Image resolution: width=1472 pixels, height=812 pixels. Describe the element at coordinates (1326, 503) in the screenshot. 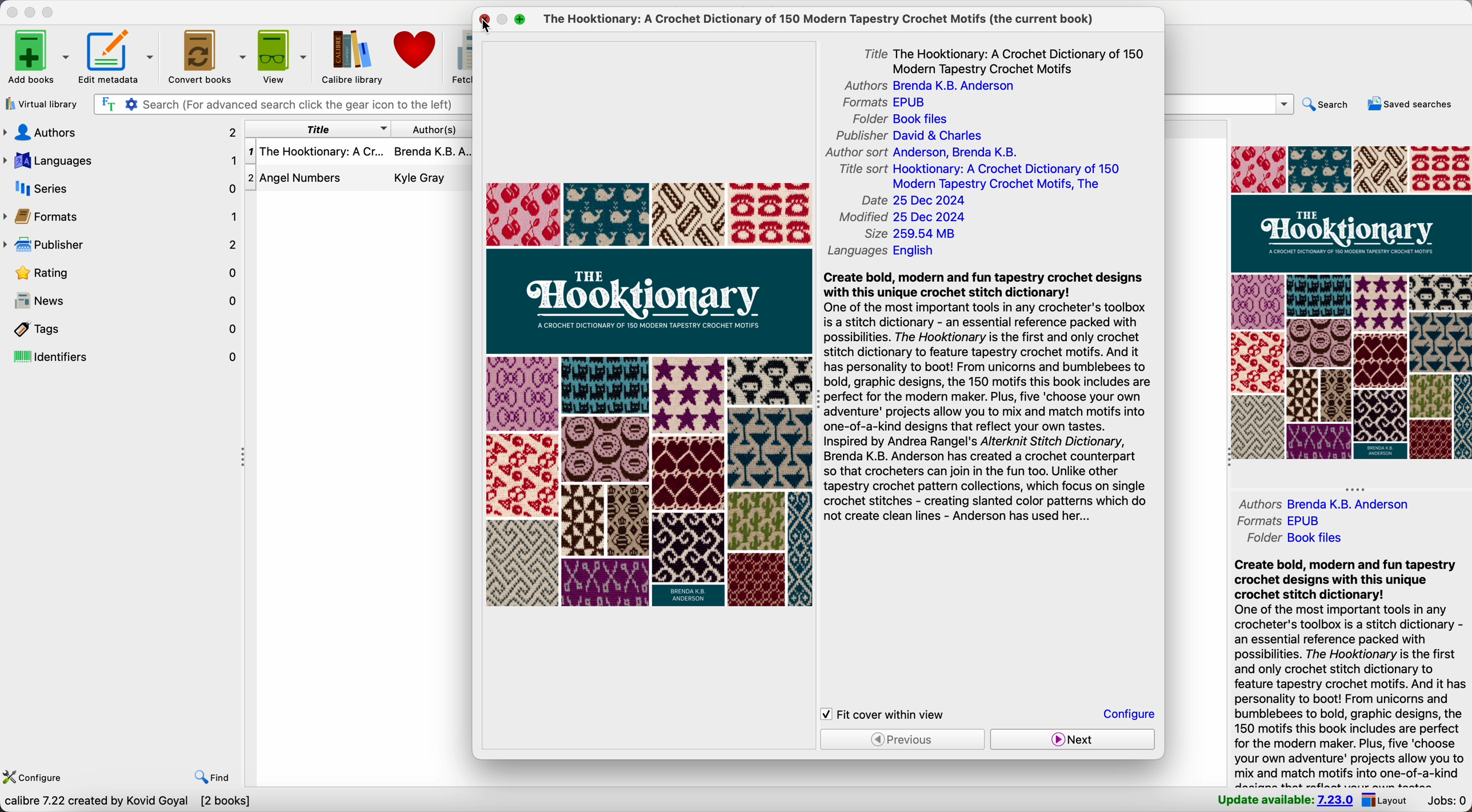

I see `author` at that location.